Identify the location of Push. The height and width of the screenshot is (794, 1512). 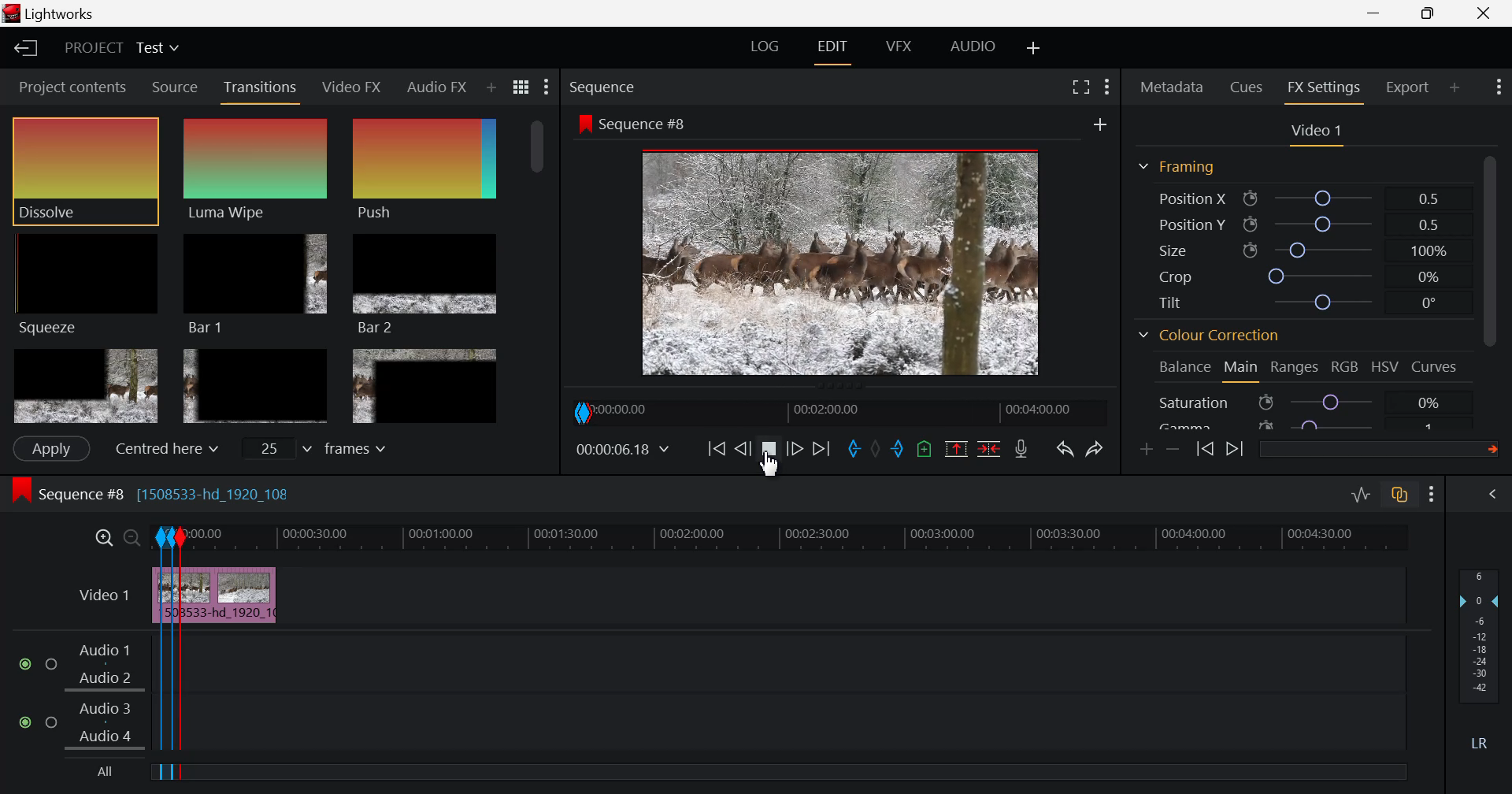
(424, 169).